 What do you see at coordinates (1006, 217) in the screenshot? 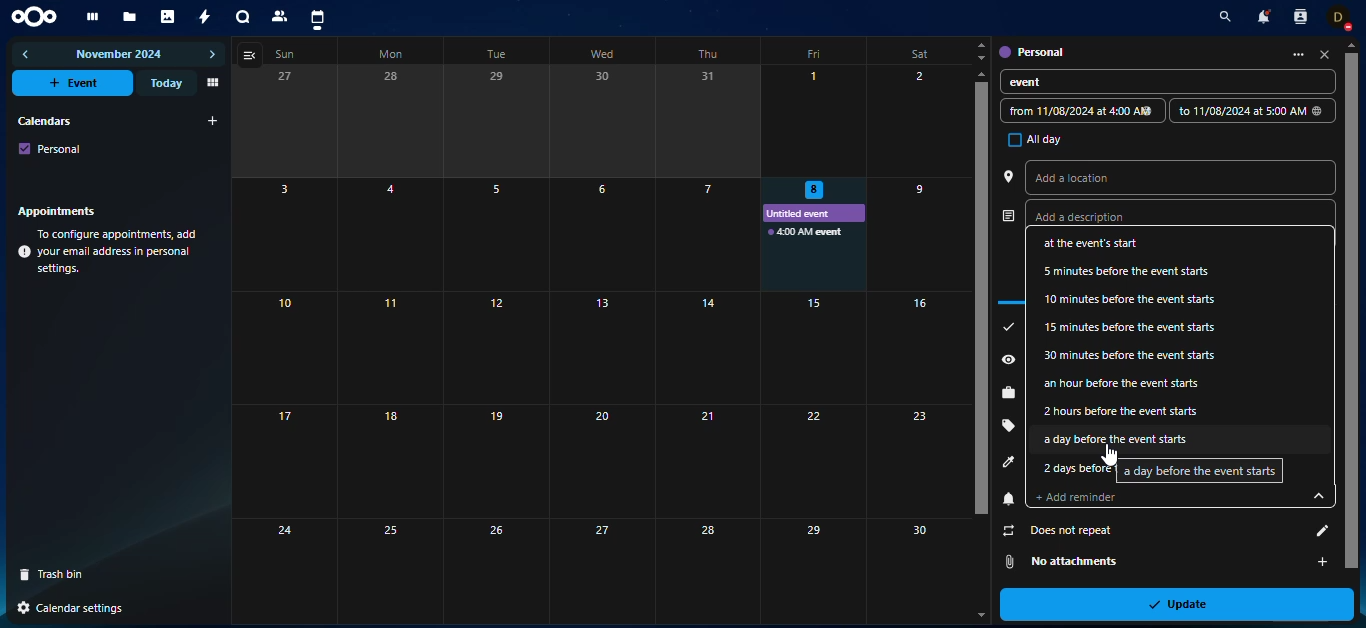
I see `author` at bounding box center [1006, 217].